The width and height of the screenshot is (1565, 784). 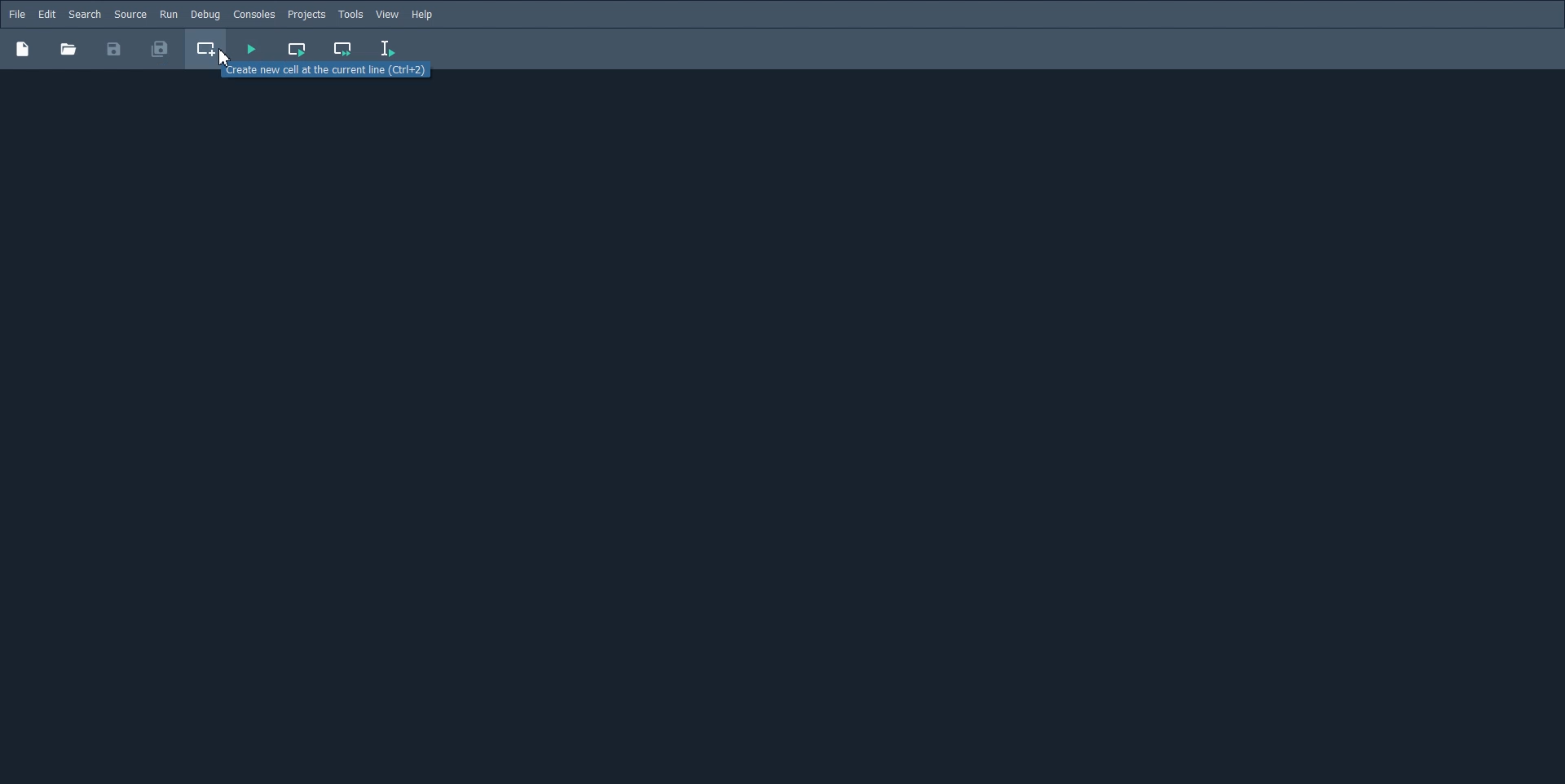 What do you see at coordinates (17, 14) in the screenshot?
I see `File` at bounding box center [17, 14].